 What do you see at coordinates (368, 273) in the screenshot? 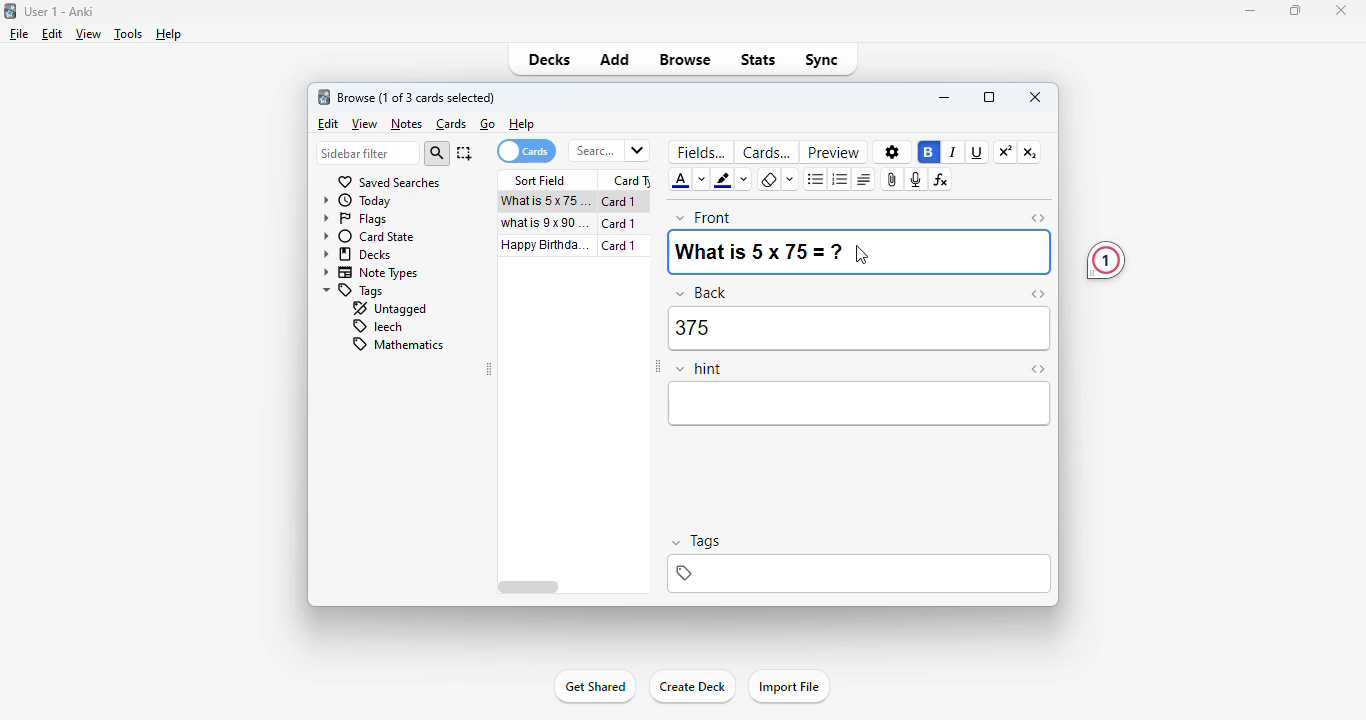
I see `note types` at bounding box center [368, 273].